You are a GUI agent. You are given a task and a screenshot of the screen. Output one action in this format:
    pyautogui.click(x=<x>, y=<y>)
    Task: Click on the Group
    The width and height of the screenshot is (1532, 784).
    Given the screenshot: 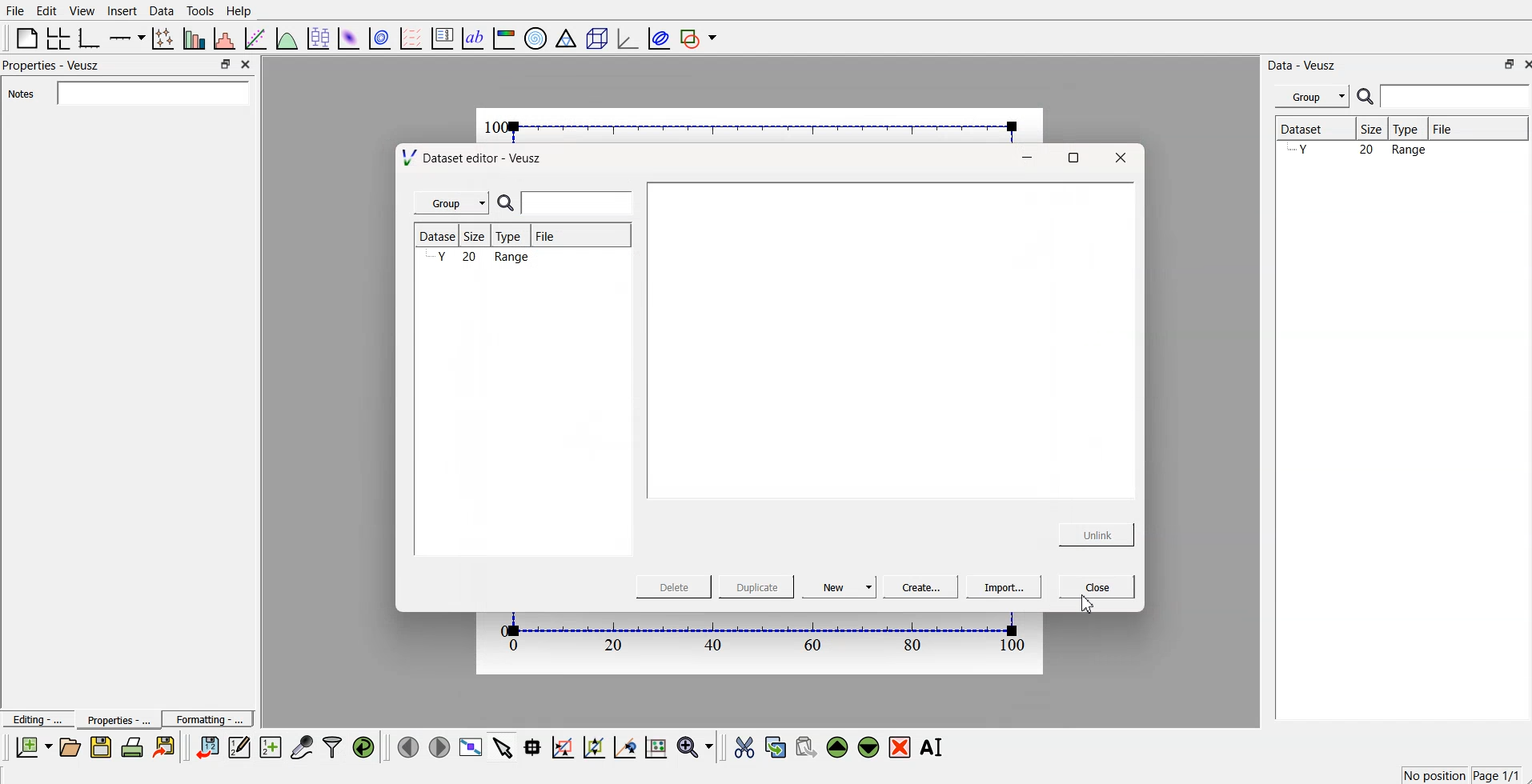 What is the action you would take?
    pyautogui.click(x=451, y=202)
    